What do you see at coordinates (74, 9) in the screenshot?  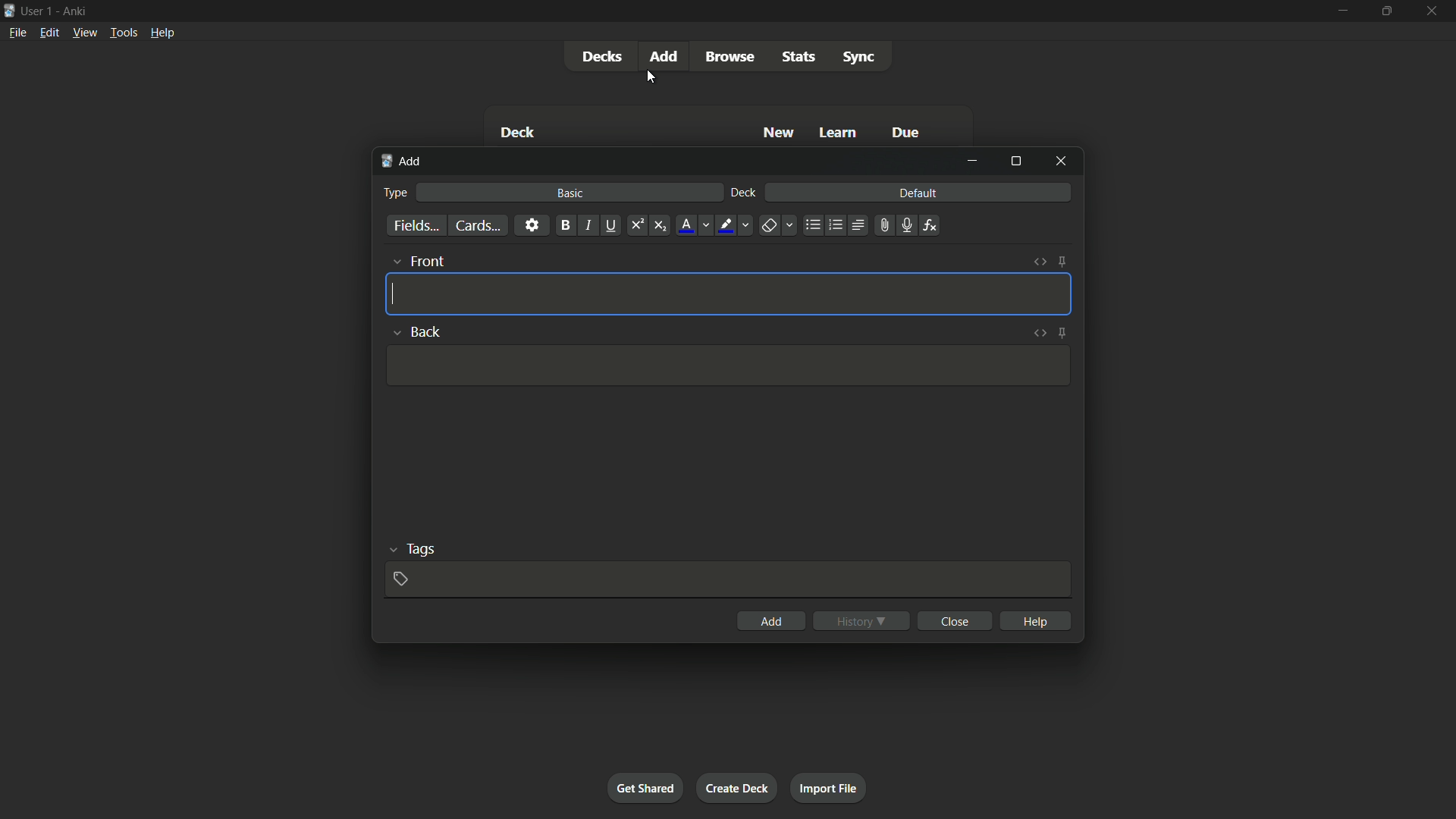 I see `app name` at bounding box center [74, 9].